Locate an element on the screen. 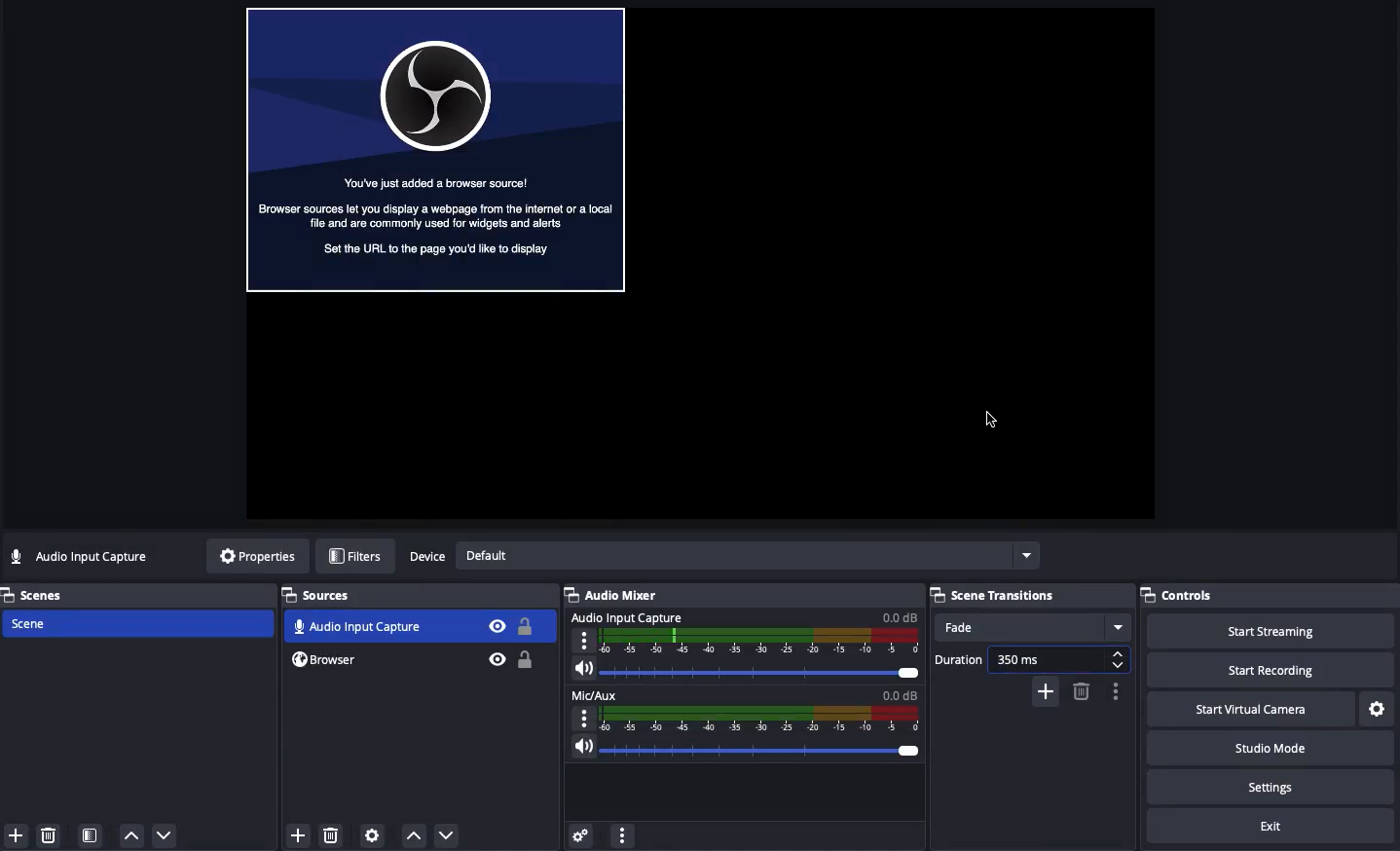 This screenshot has height=851, width=1400. Settings is located at coordinates (1378, 710).